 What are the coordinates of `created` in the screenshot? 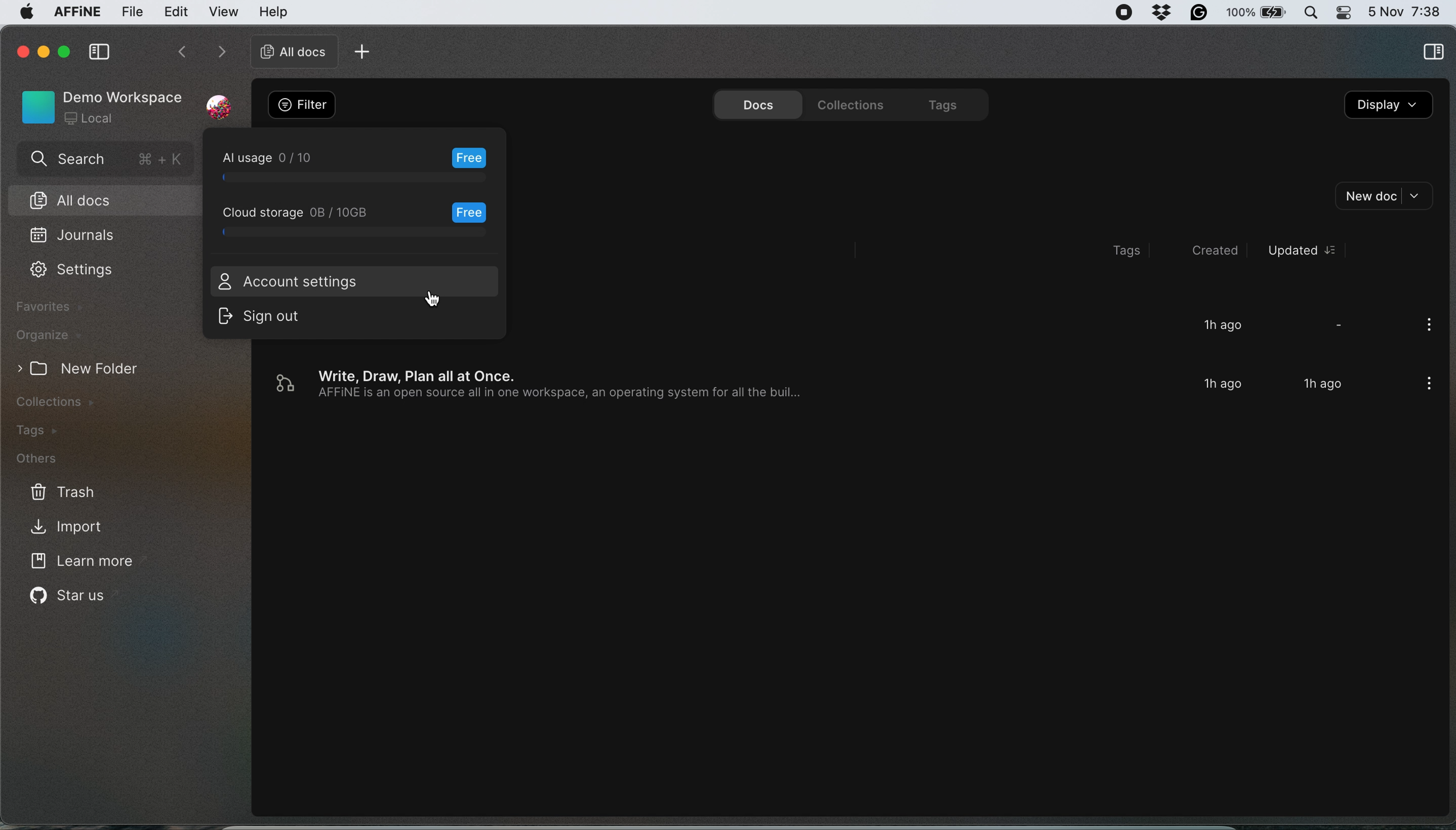 It's located at (1207, 250).